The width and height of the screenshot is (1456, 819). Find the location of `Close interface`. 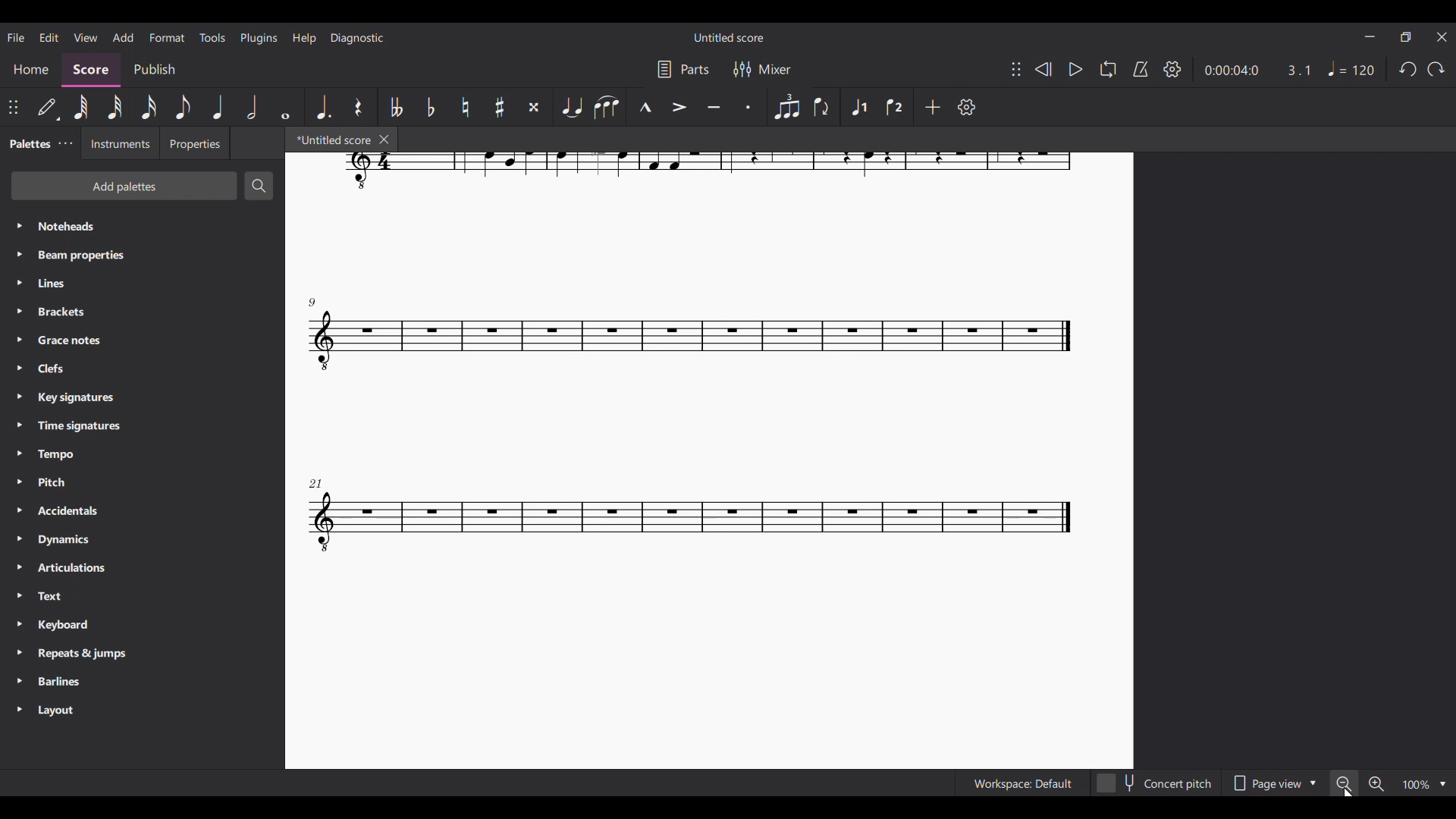

Close interface is located at coordinates (1442, 37).